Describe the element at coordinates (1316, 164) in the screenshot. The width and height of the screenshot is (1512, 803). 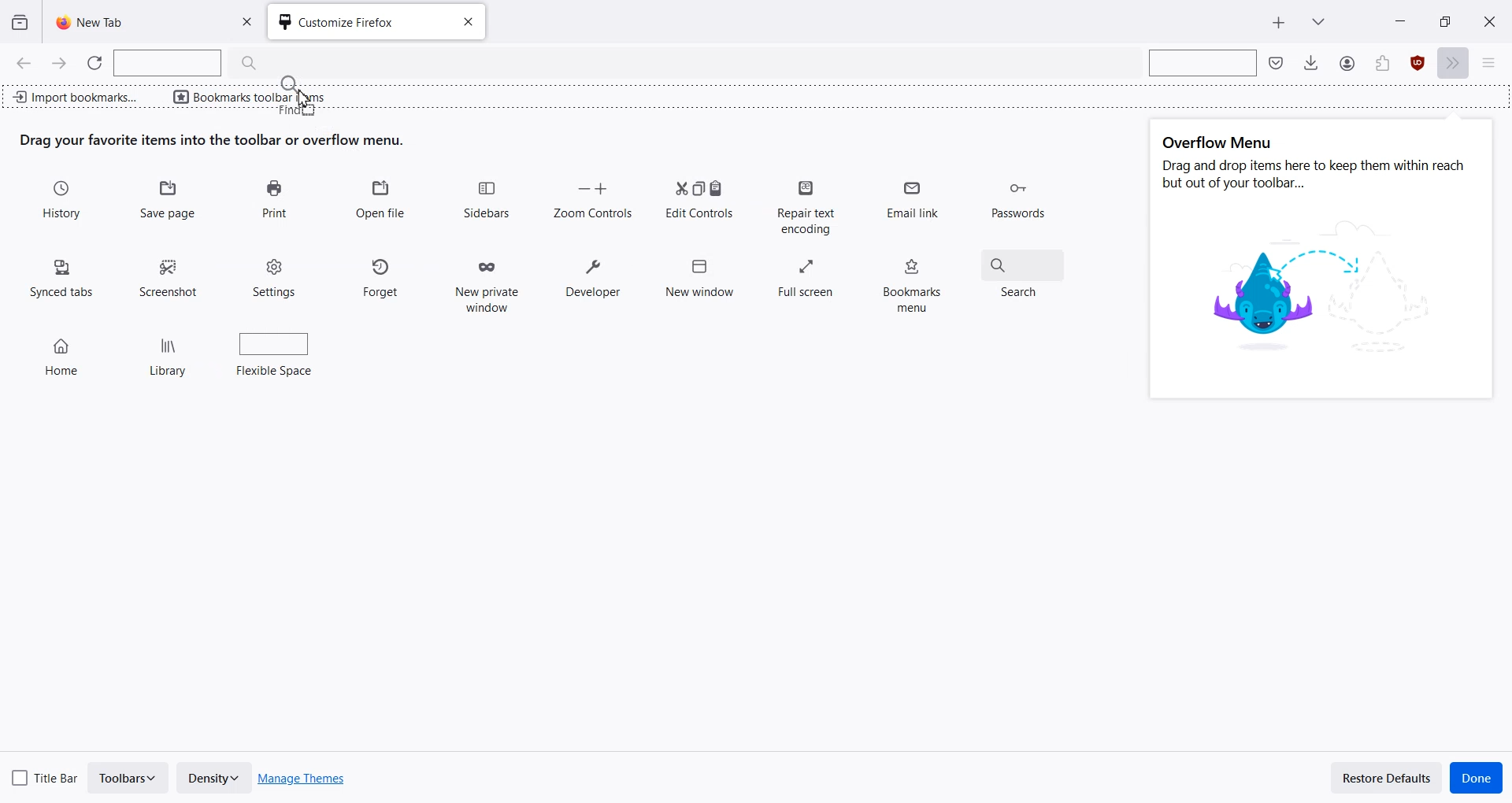
I see `Text` at that location.